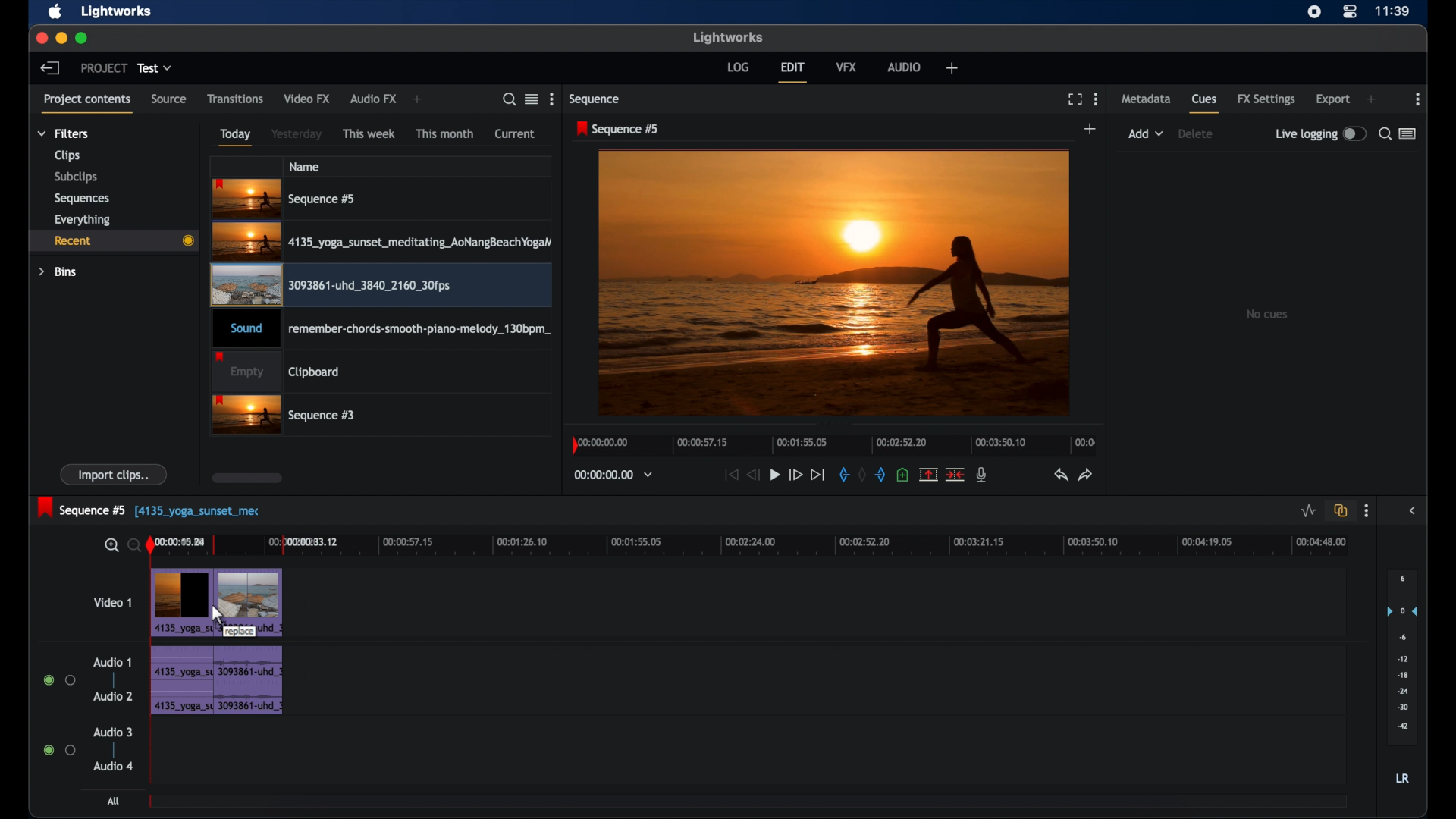 Image resolution: width=1456 pixels, height=819 pixels. I want to click on LR, so click(1402, 778).